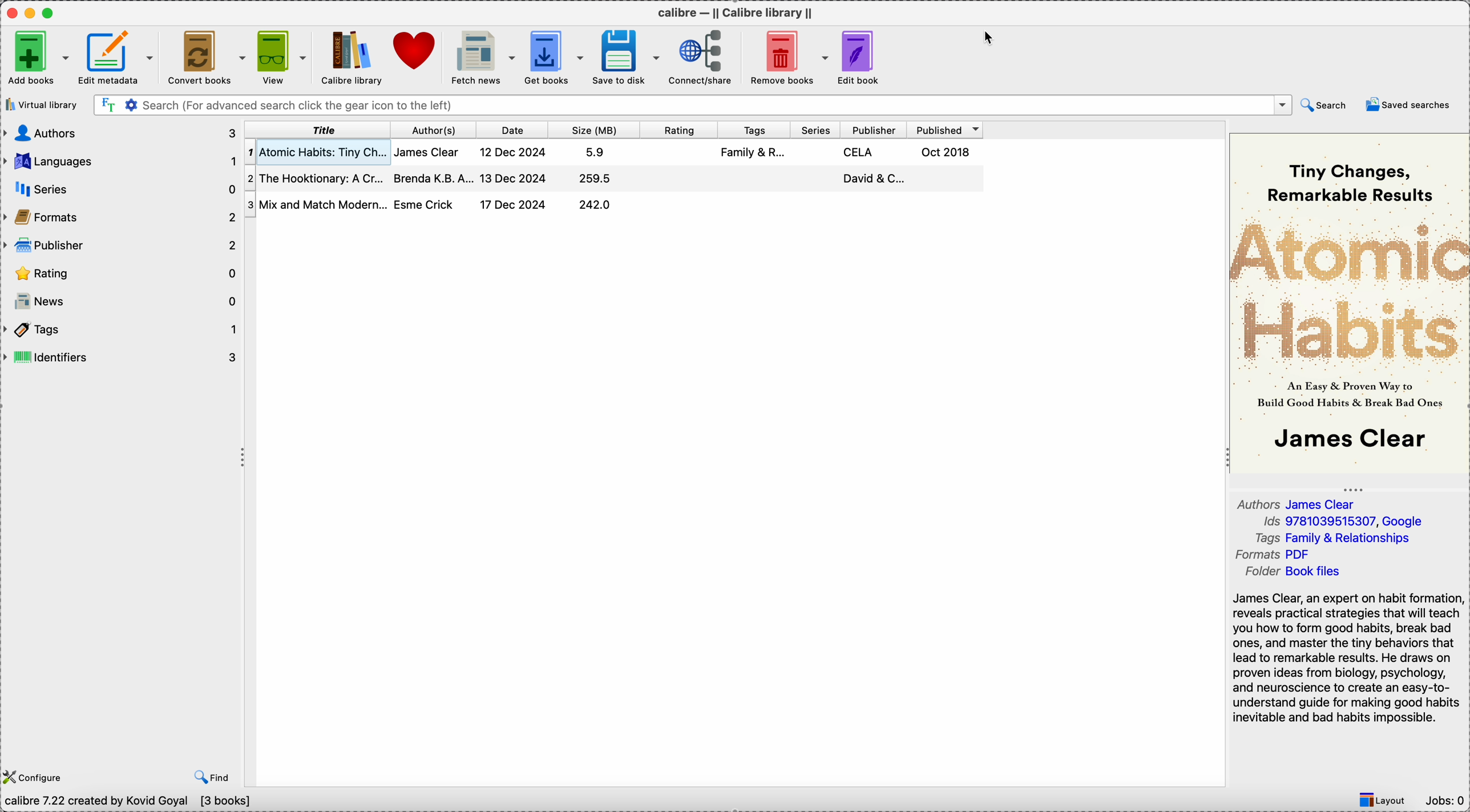 The width and height of the screenshot is (1470, 812). Describe the element at coordinates (1383, 801) in the screenshot. I see `layout` at that location.